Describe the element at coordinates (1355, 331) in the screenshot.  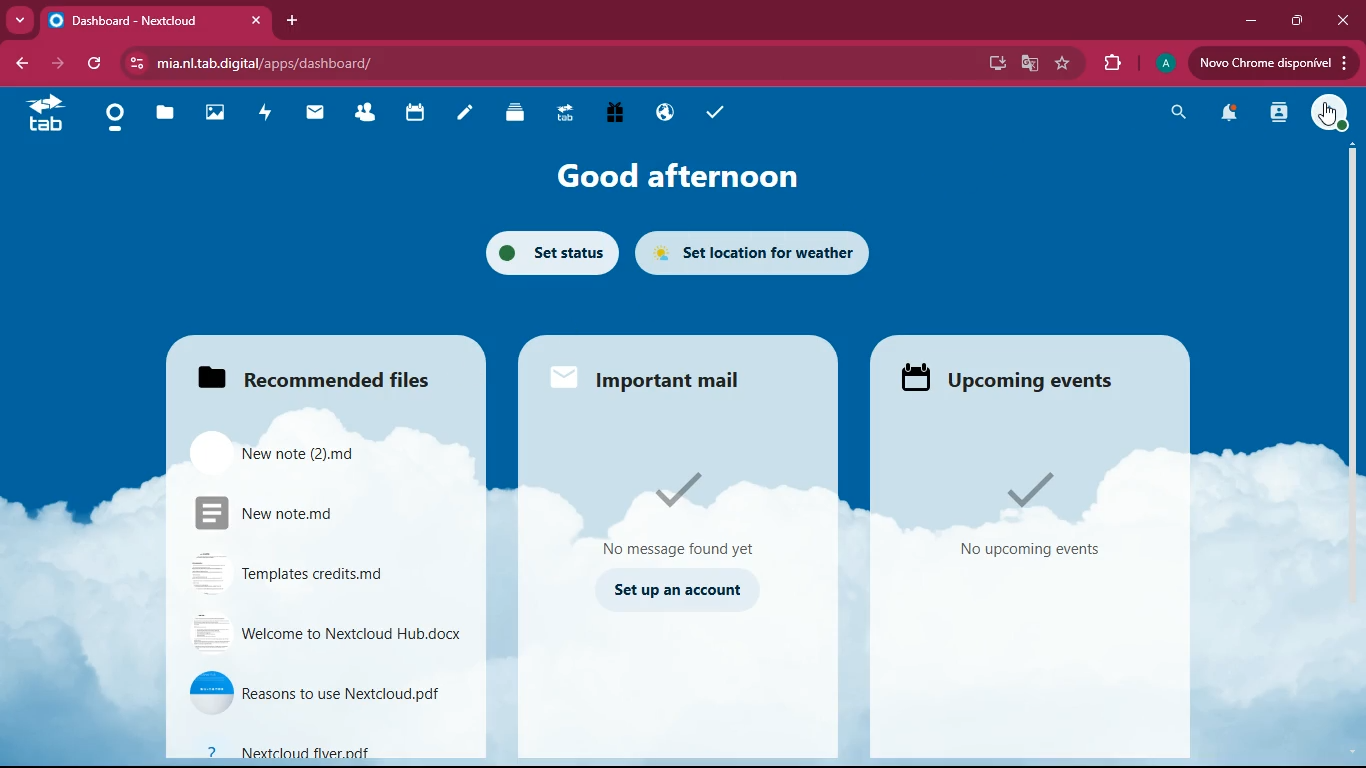
I see `scroll bar` at that location.